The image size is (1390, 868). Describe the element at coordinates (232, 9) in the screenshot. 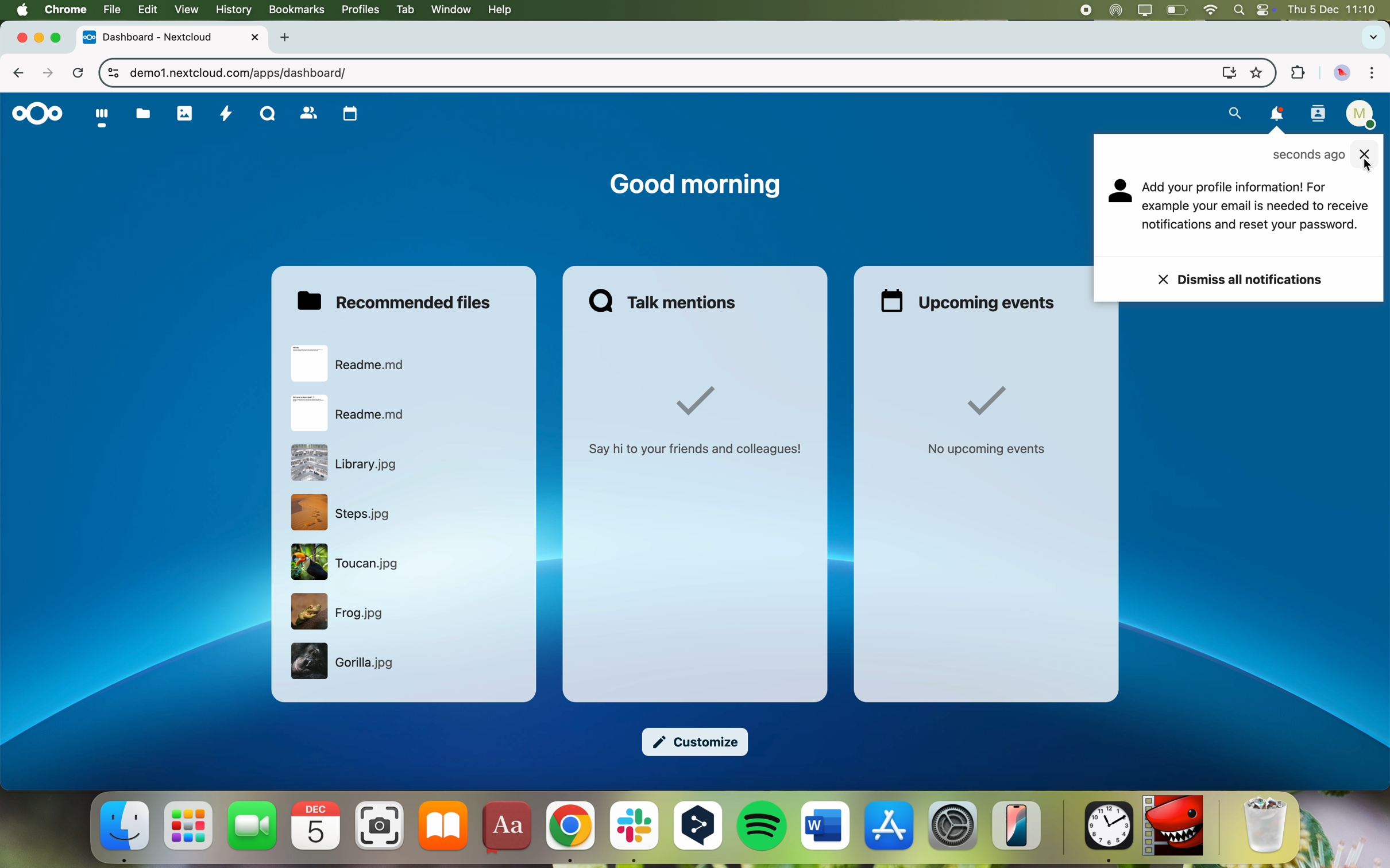

I see `history` at that location.